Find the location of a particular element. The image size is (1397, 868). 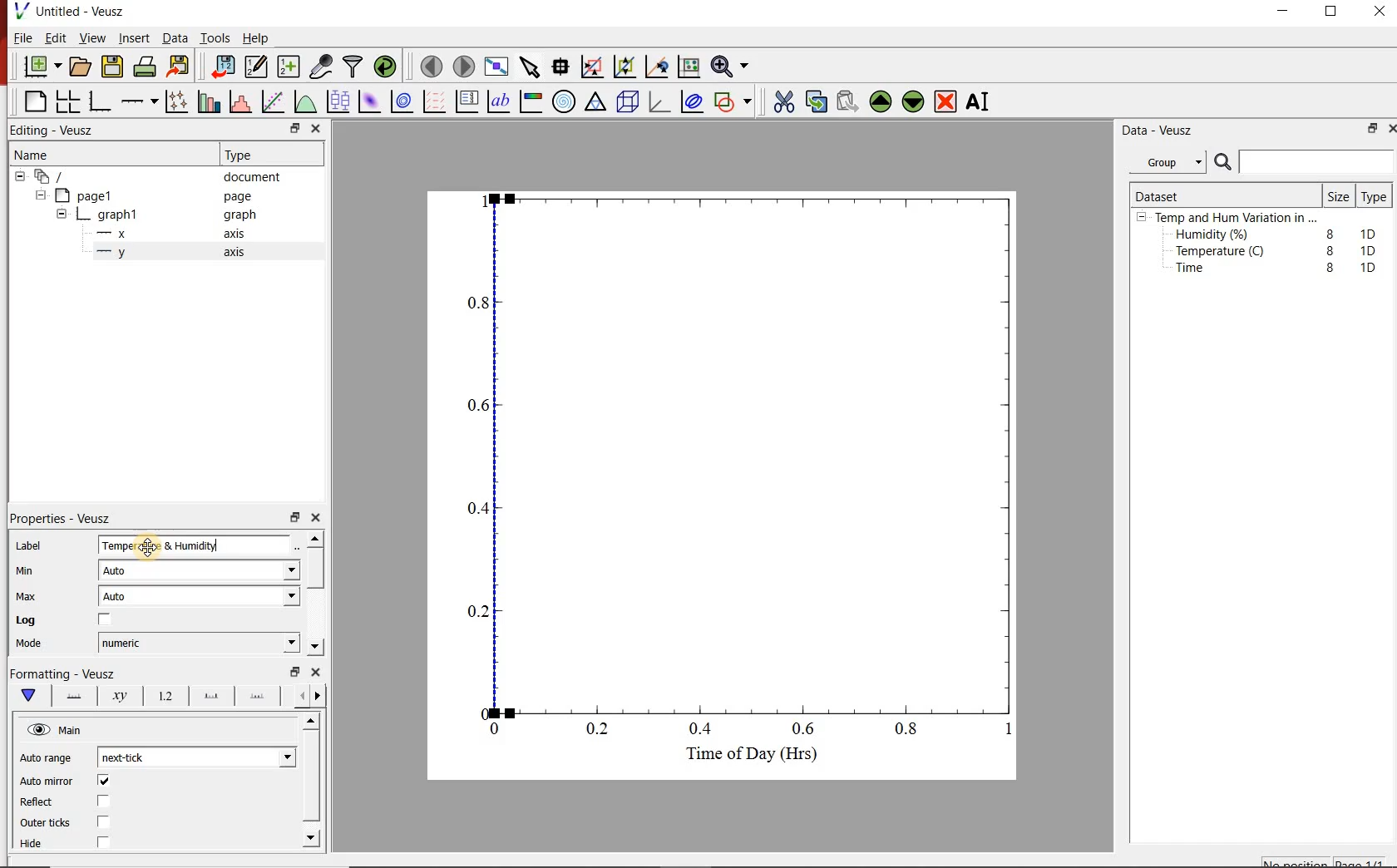

document is located at coordinates (258, 177).